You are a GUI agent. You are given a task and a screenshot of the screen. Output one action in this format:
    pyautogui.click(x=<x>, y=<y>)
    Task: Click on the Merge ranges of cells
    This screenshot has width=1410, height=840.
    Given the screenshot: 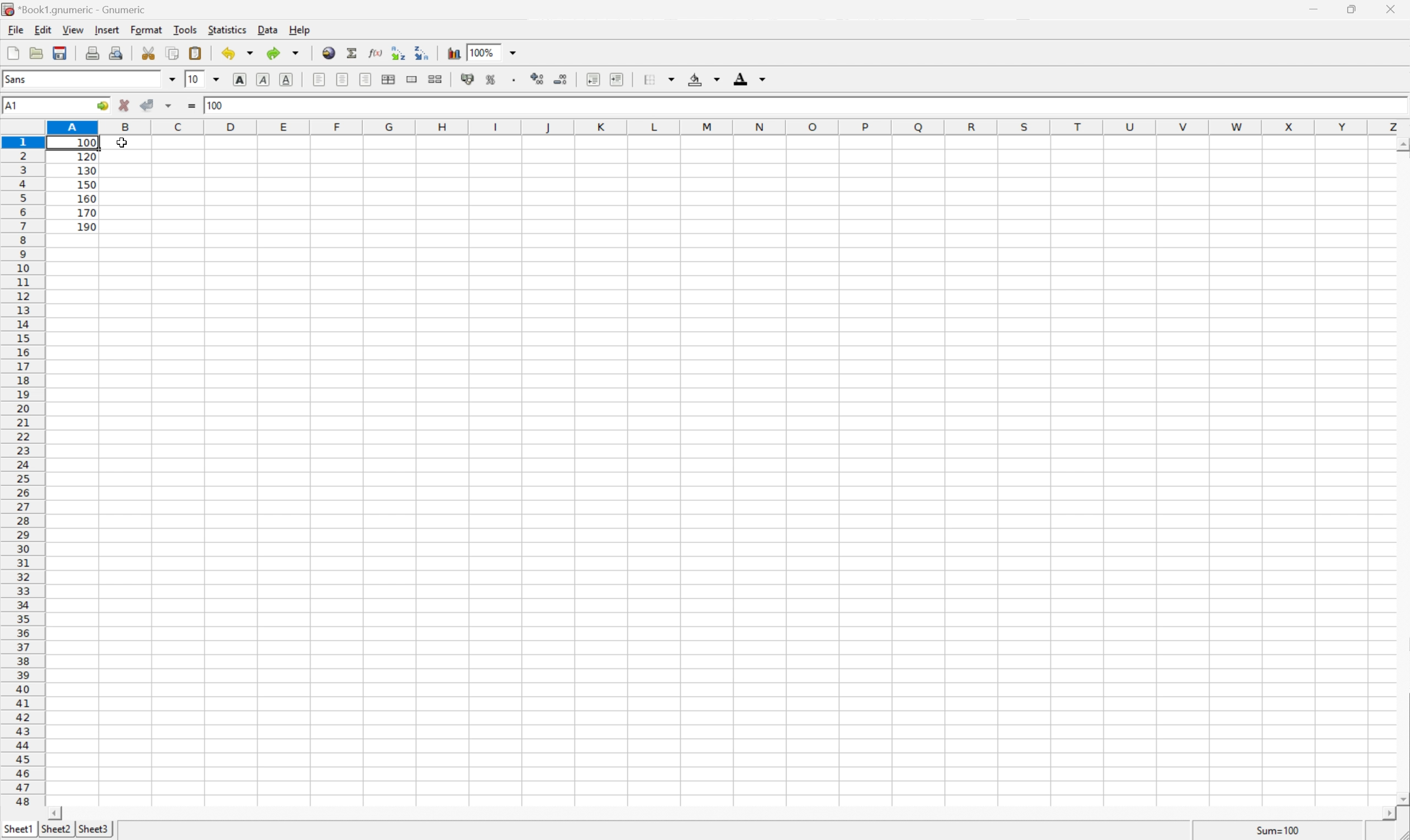 What is the action you would take?
    pyautogui.click(x=413, y=79)
    